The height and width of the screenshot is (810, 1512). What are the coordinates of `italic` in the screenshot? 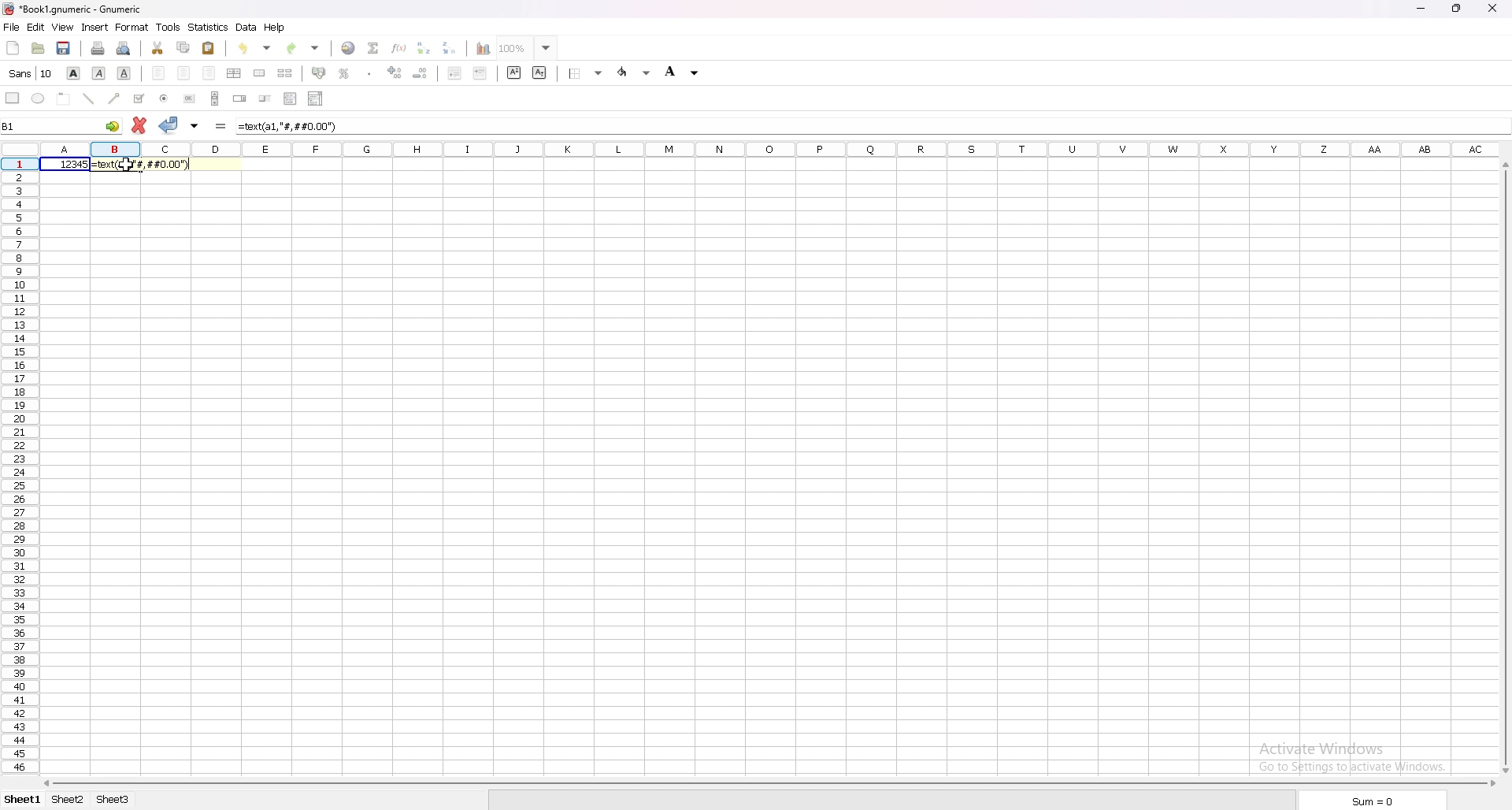 It's located at (98, 72).